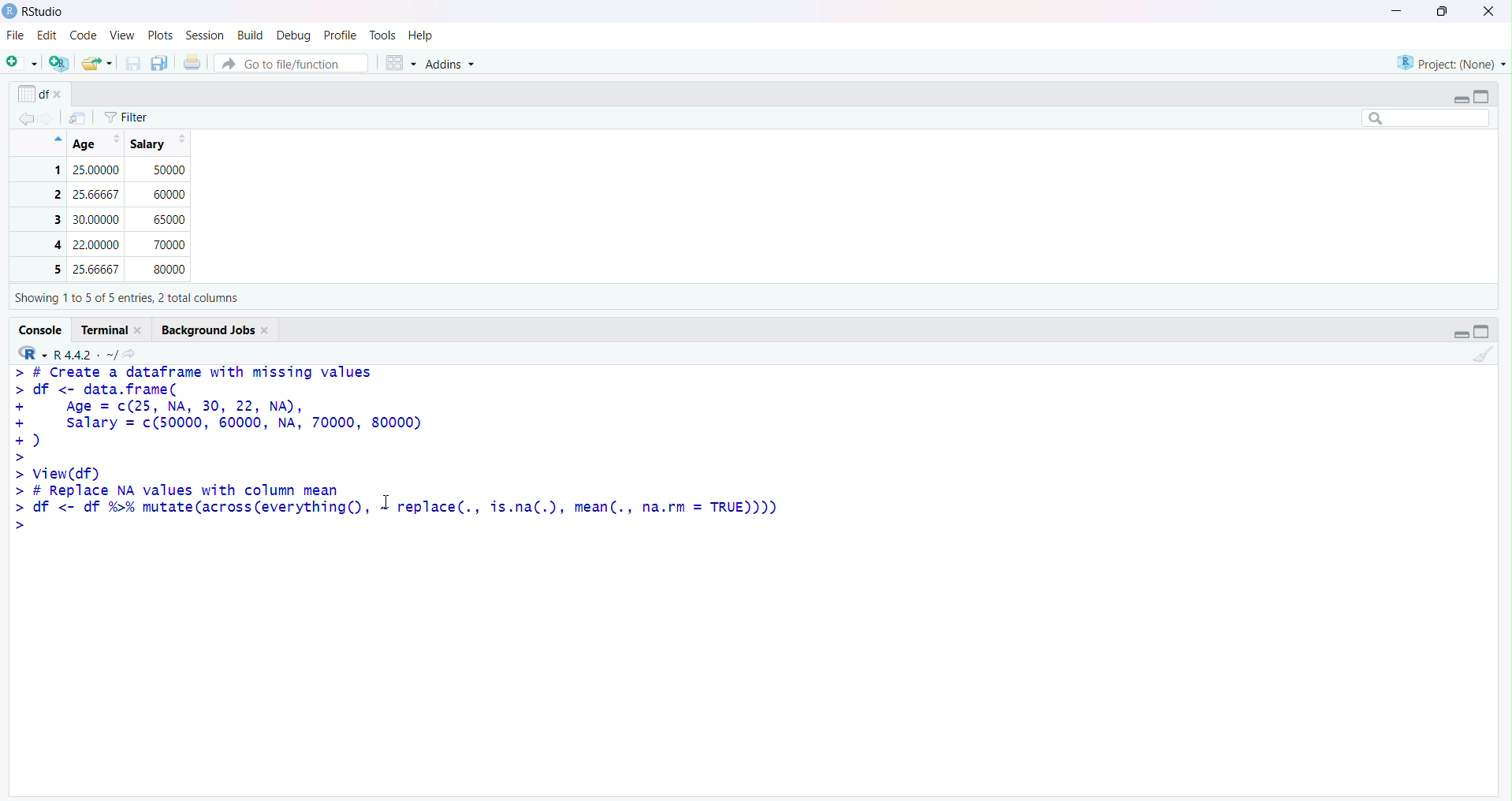 This screenshot has height=801, width=1512. I want to click on Search bar, so click(1421, 117).